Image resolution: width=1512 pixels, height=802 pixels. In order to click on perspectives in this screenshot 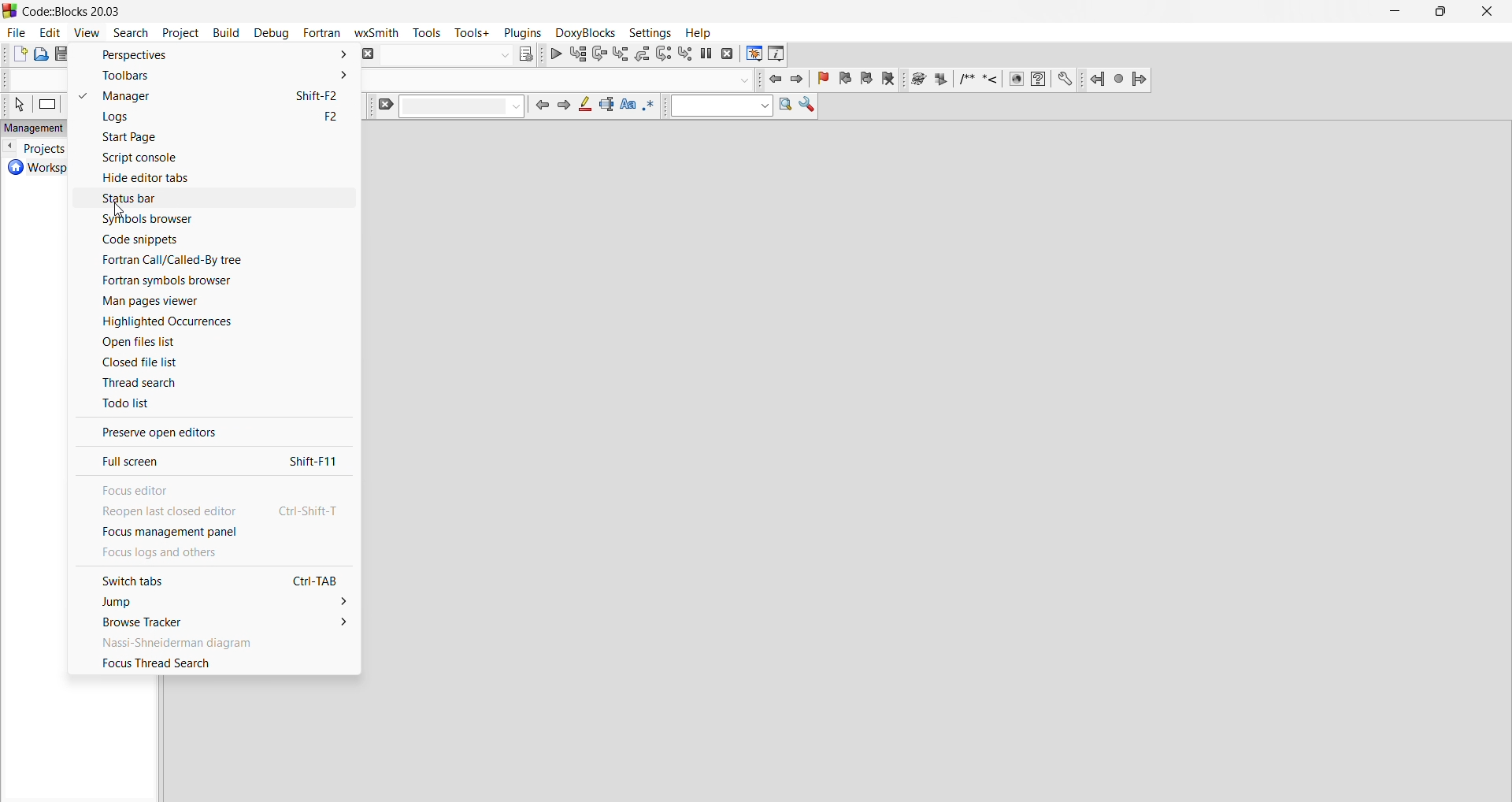, I will do `click(213, 55)`.